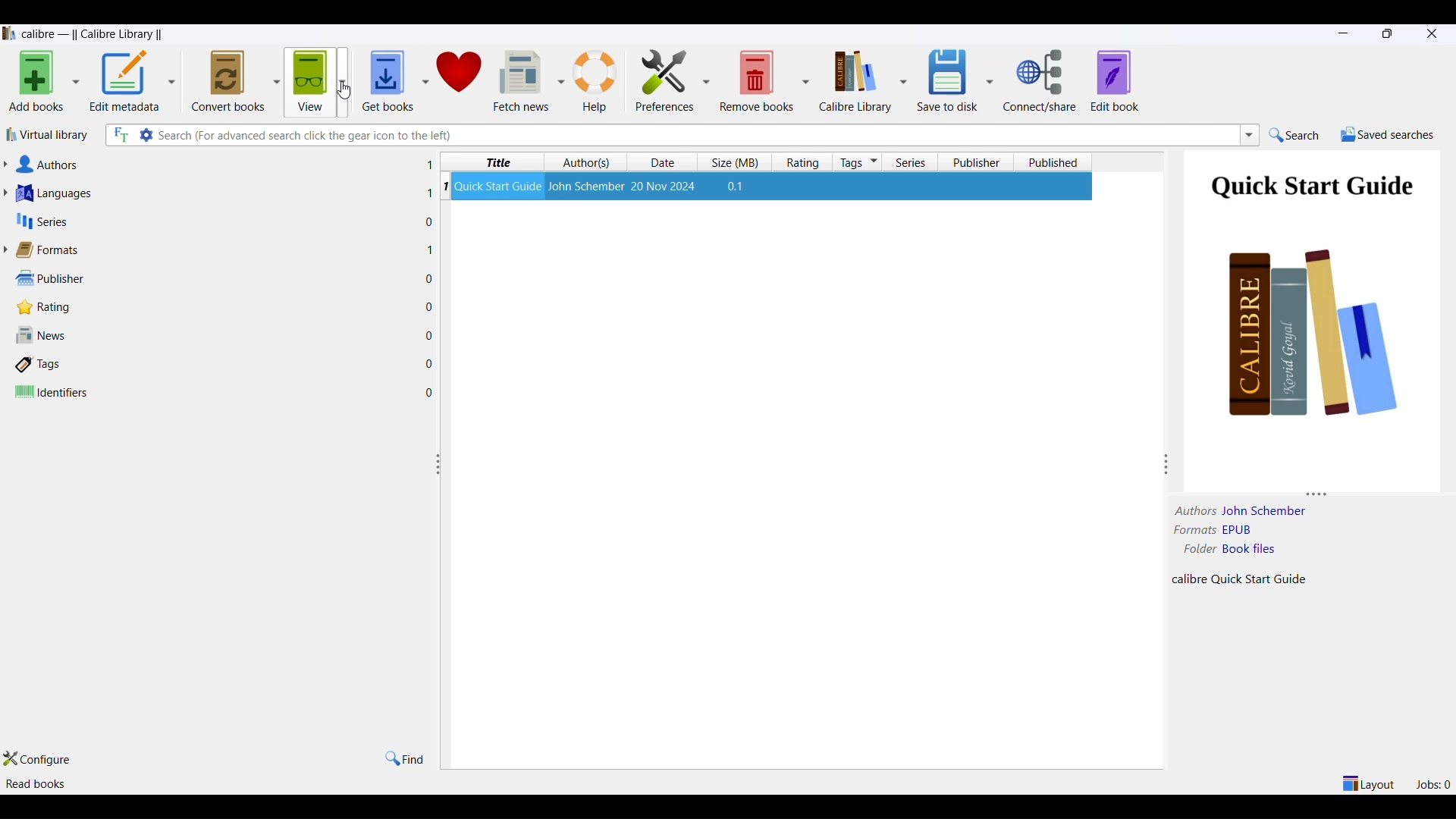 This screenshot has width=1456, height=819. What do you see at coordinates (668, 162) in the screenshot?
I see `date` at bounding box center [668, 162].